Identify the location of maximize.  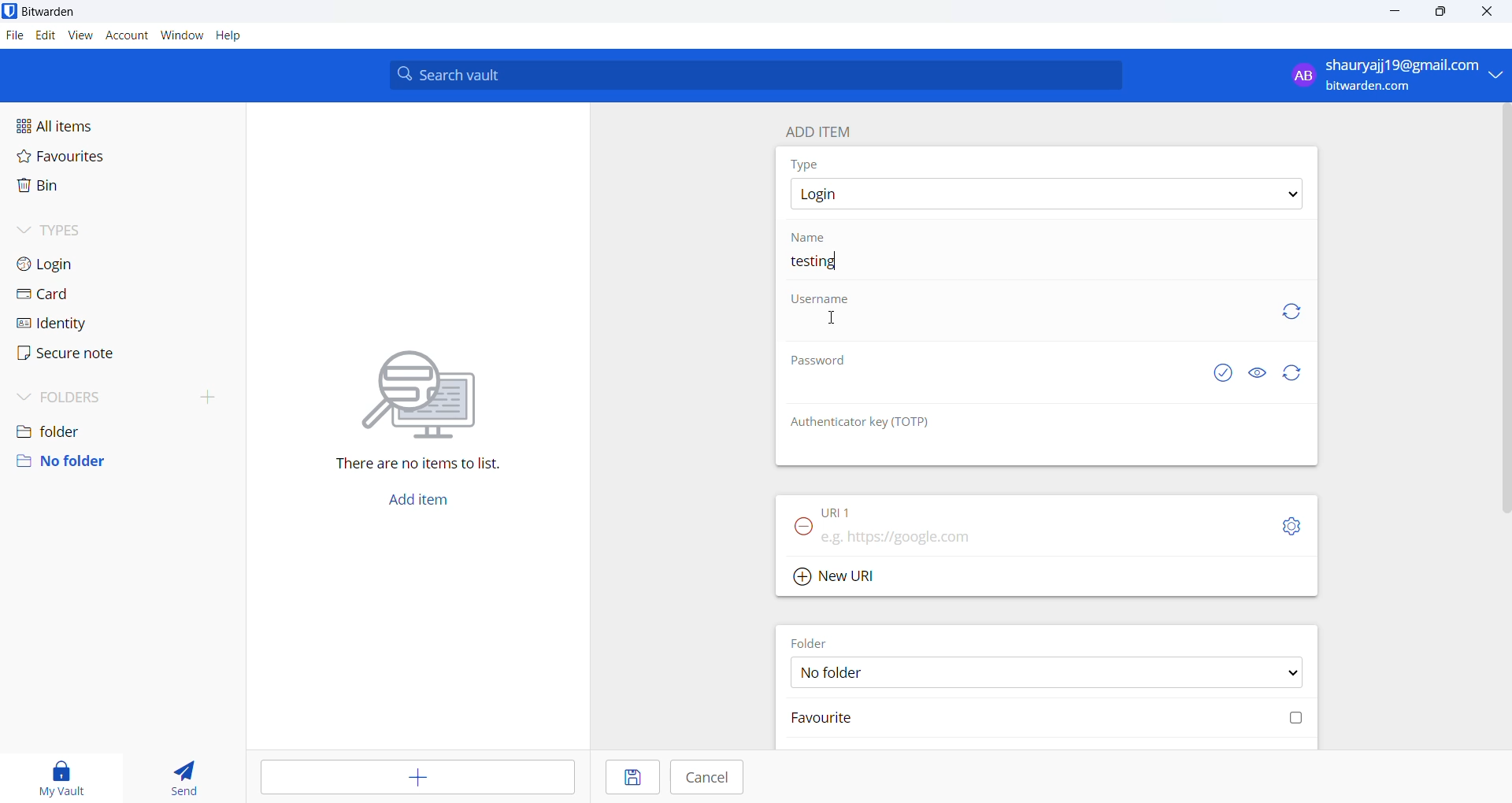
(1443, 13).